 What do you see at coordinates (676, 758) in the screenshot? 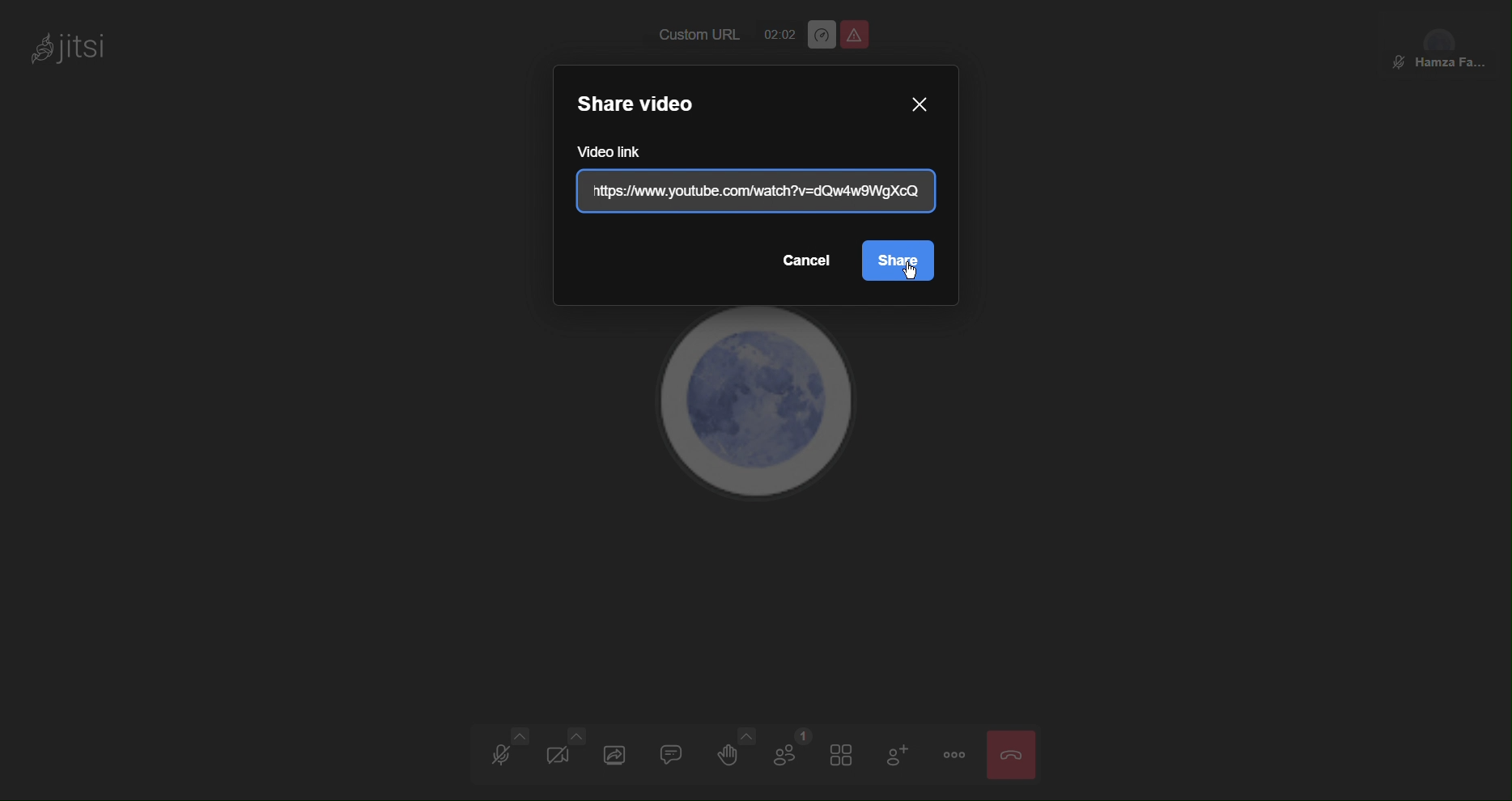
I see `Chat` at bounding box center [676, 758].